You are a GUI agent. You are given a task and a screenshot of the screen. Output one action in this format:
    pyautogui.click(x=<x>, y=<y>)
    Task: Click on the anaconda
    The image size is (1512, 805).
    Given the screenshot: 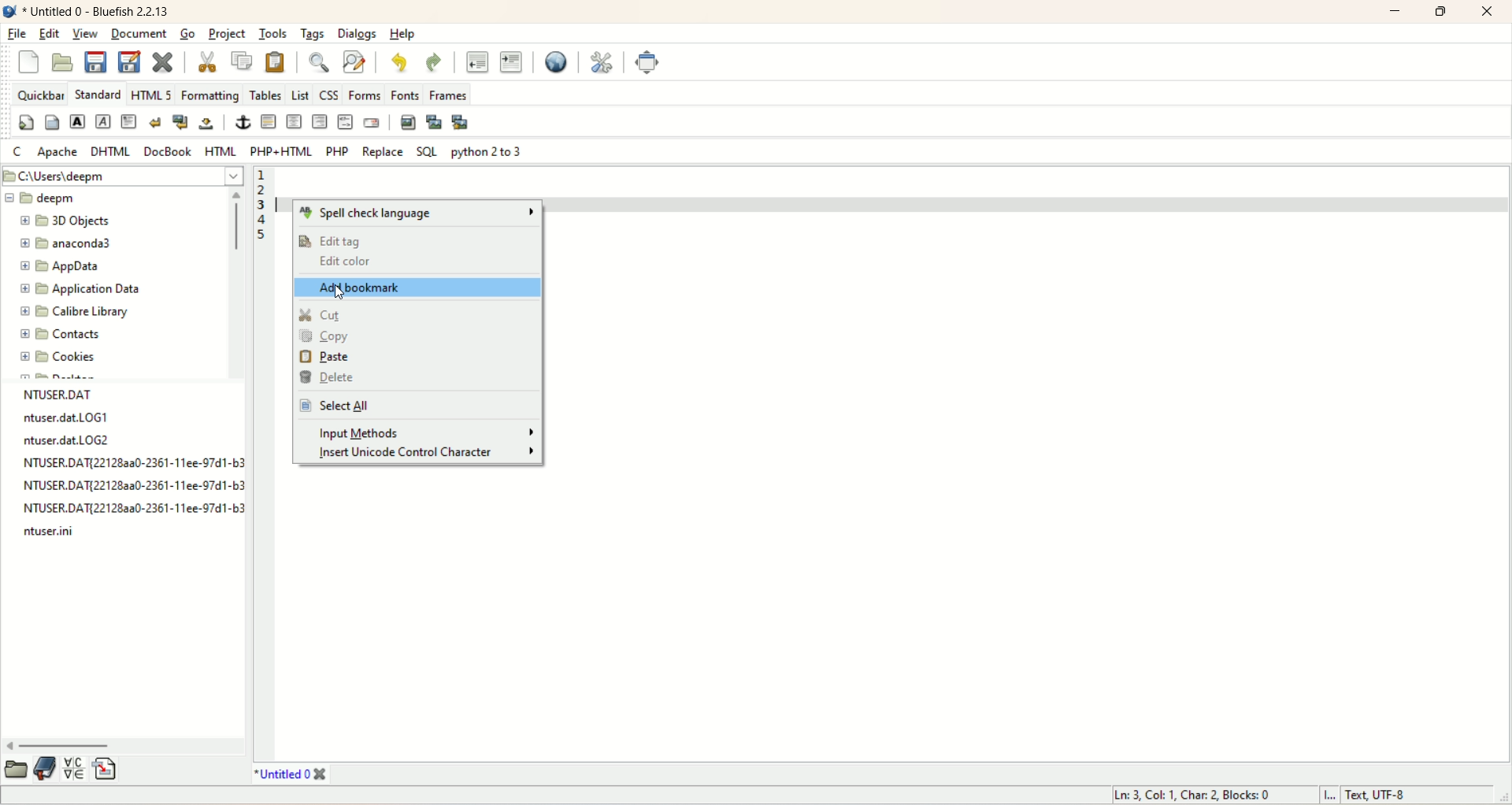 What is the action you would take?
    pyautogui.click(x=69, y=243)
    